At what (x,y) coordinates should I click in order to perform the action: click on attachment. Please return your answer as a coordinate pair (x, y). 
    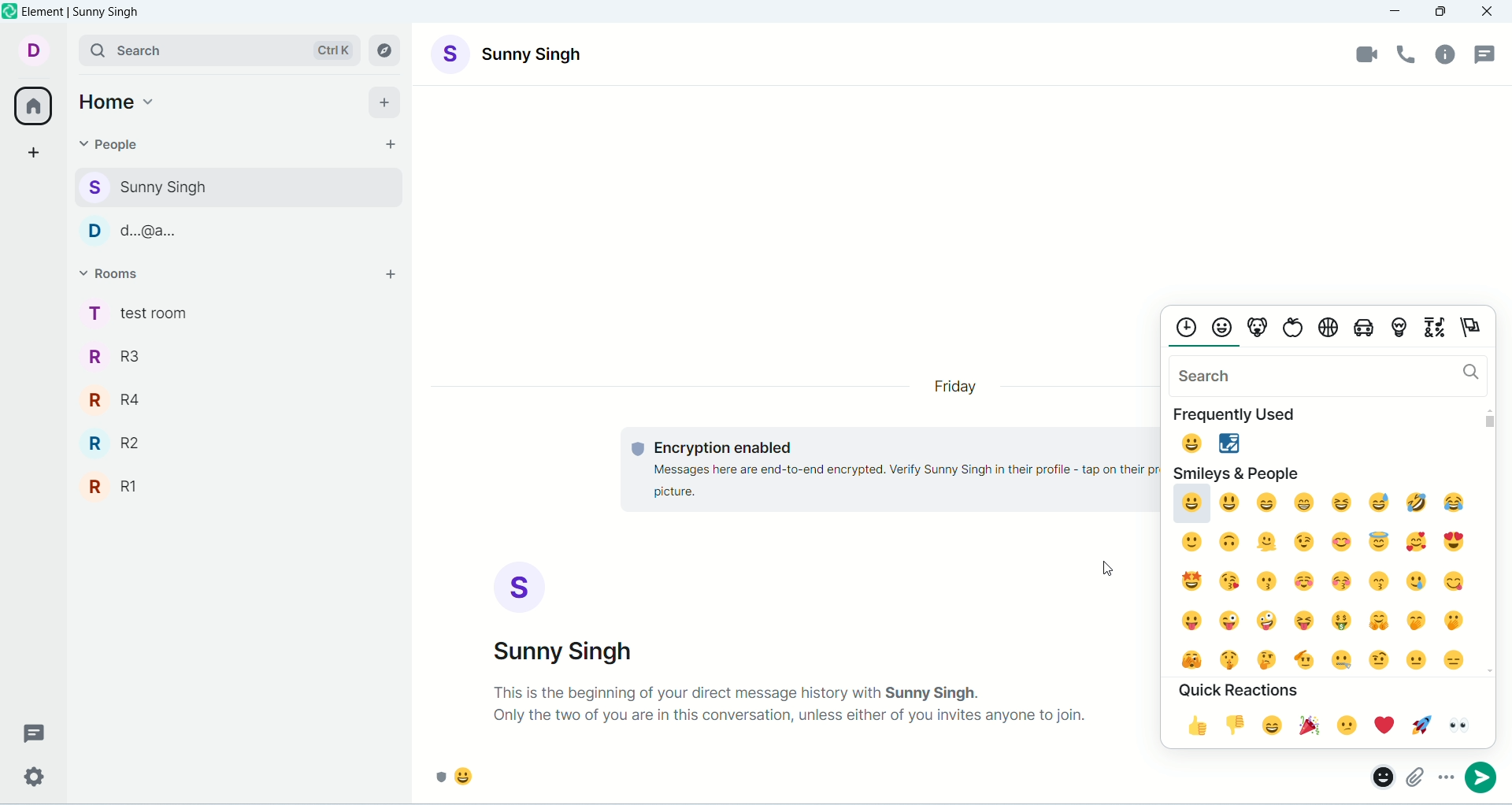
    Looking at the image, I should click on (1417, 774).